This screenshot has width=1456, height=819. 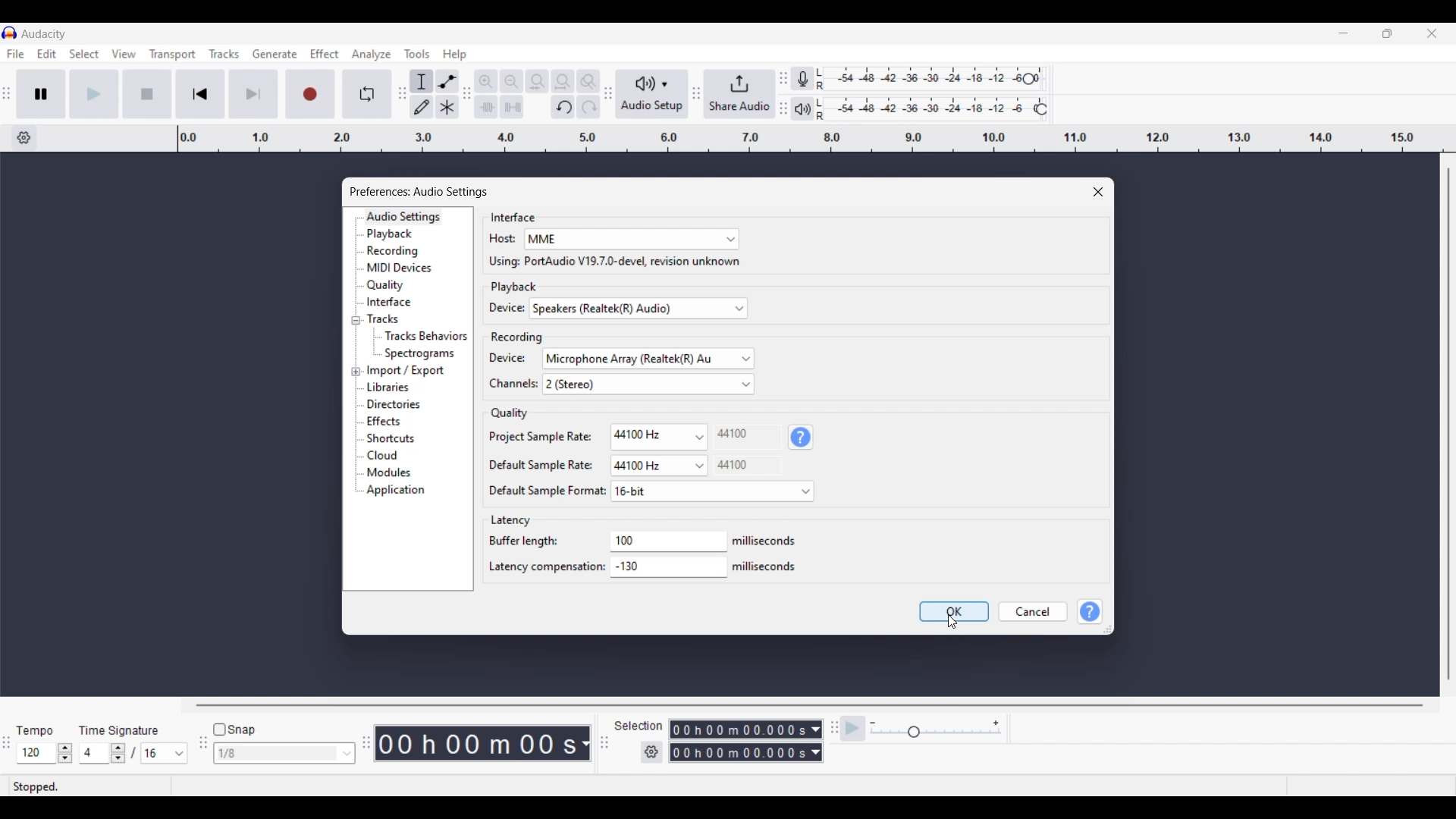 I want to click on Zoom toggle, so click(x=588, y=81).